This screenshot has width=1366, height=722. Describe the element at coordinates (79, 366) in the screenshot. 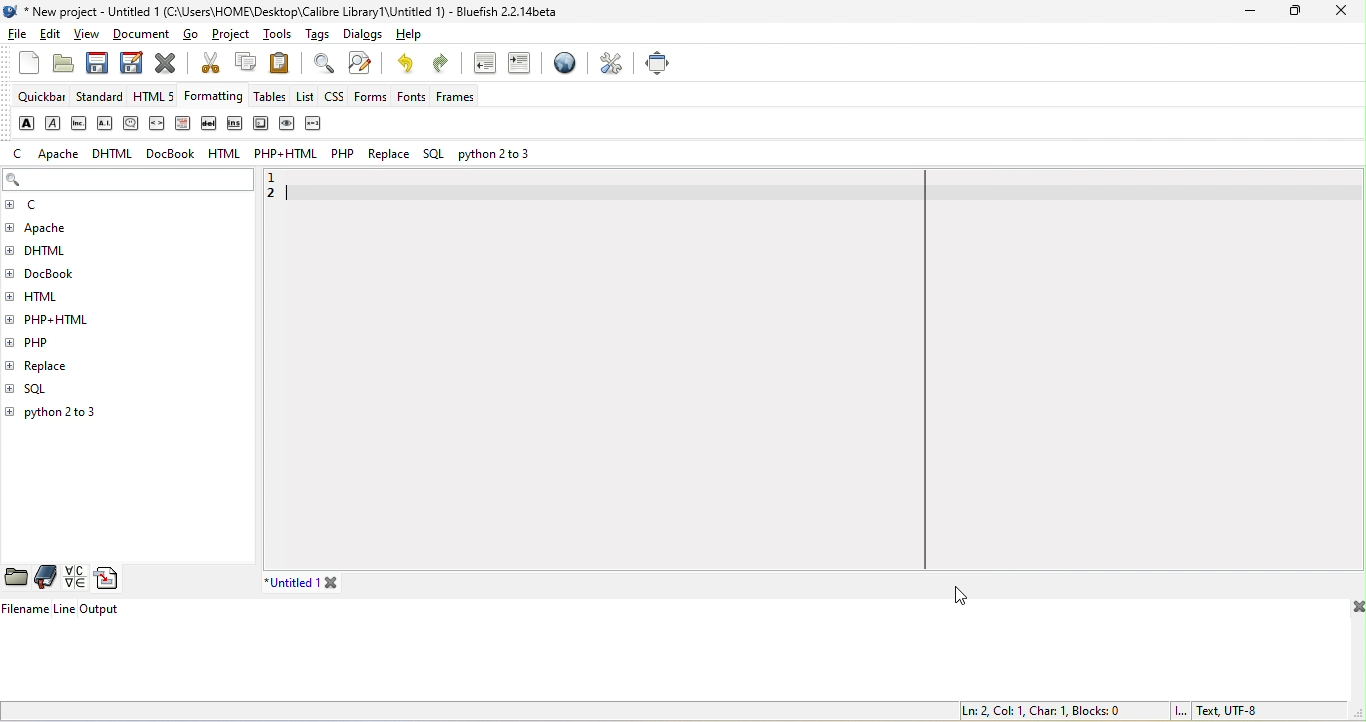

I see `replace` at that location.